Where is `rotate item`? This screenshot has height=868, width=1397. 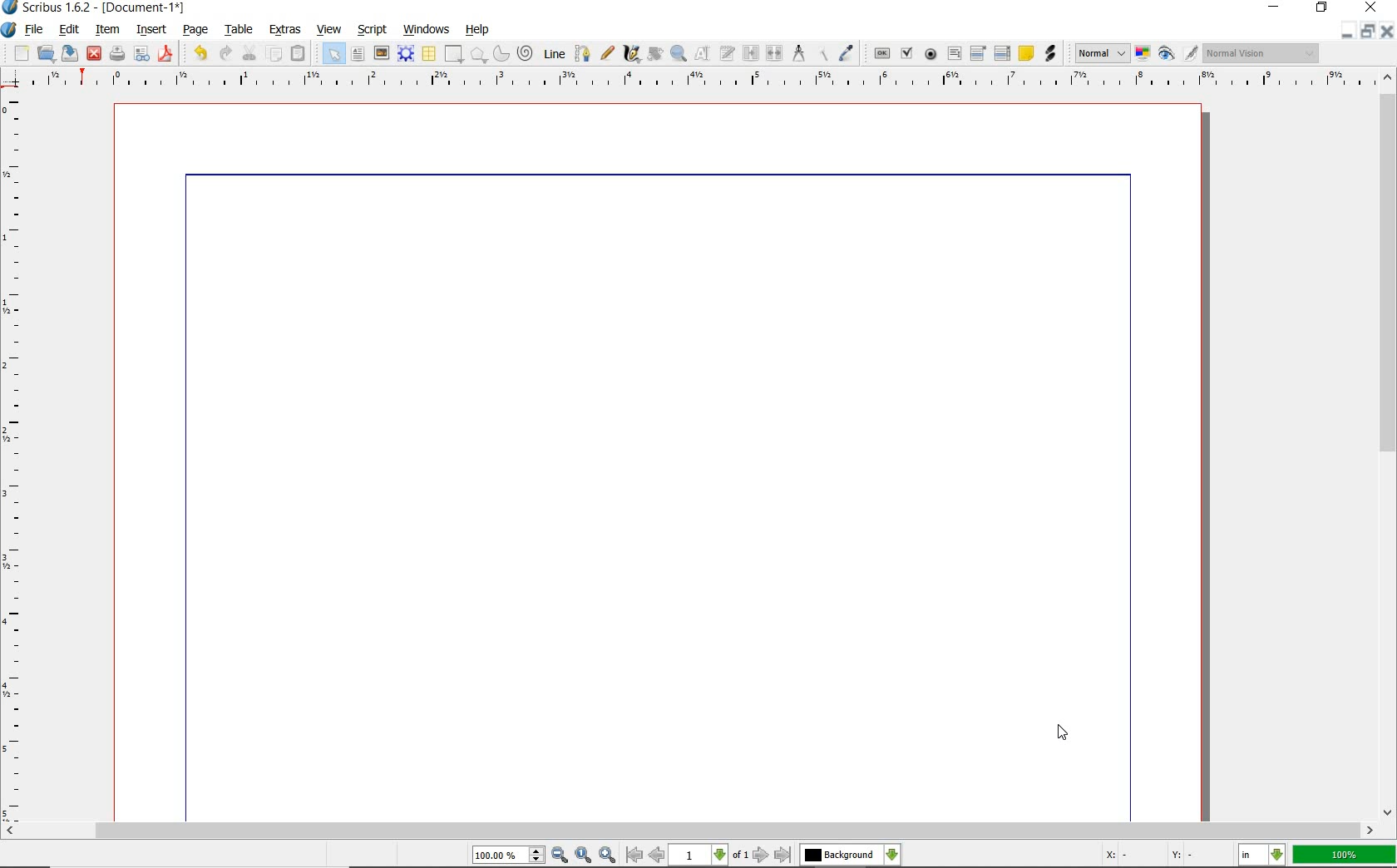
rotate item is located at coordinates (655, 55).